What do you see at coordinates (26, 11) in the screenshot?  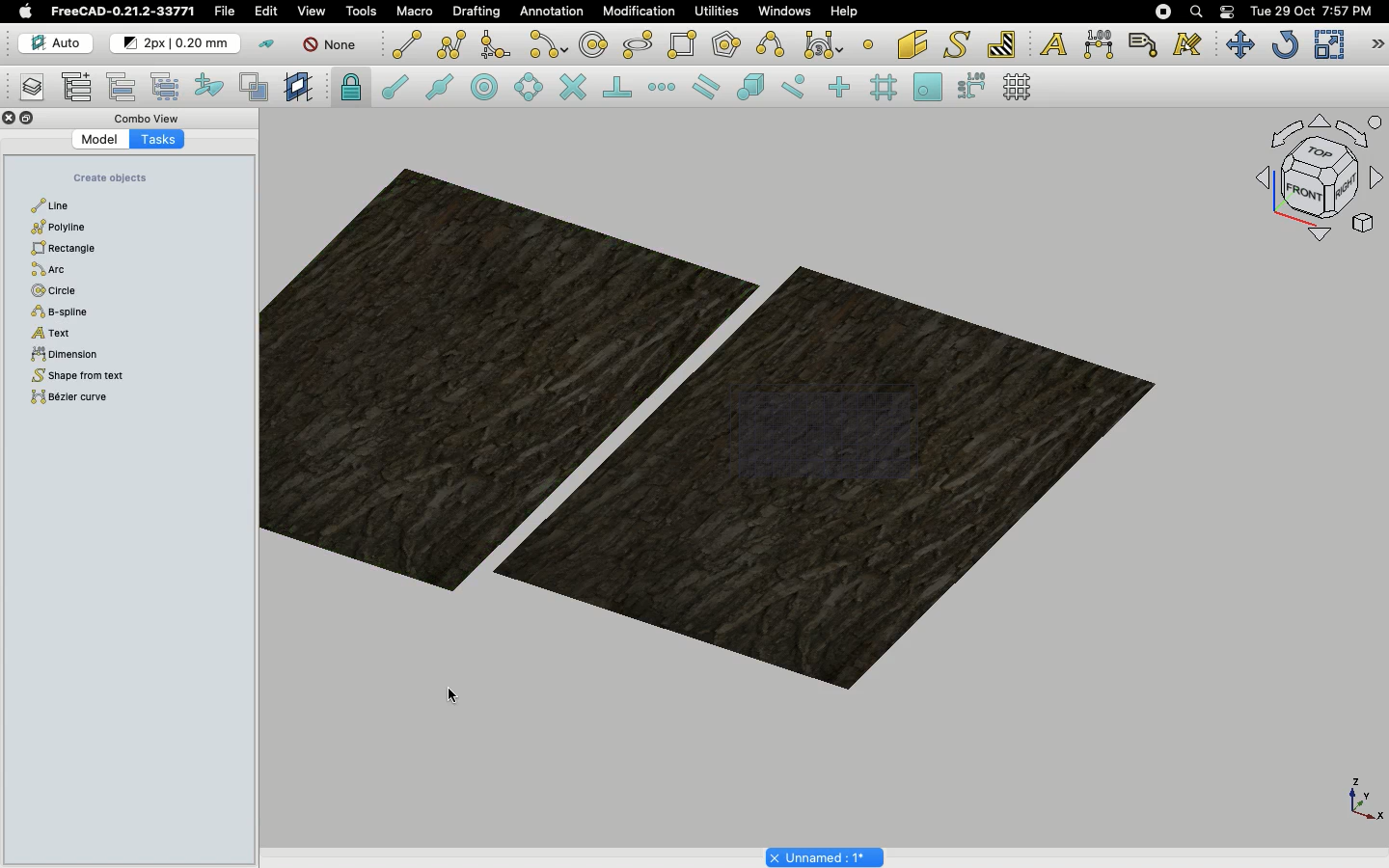 I see `Apple log` at bounding box center [26, 11].